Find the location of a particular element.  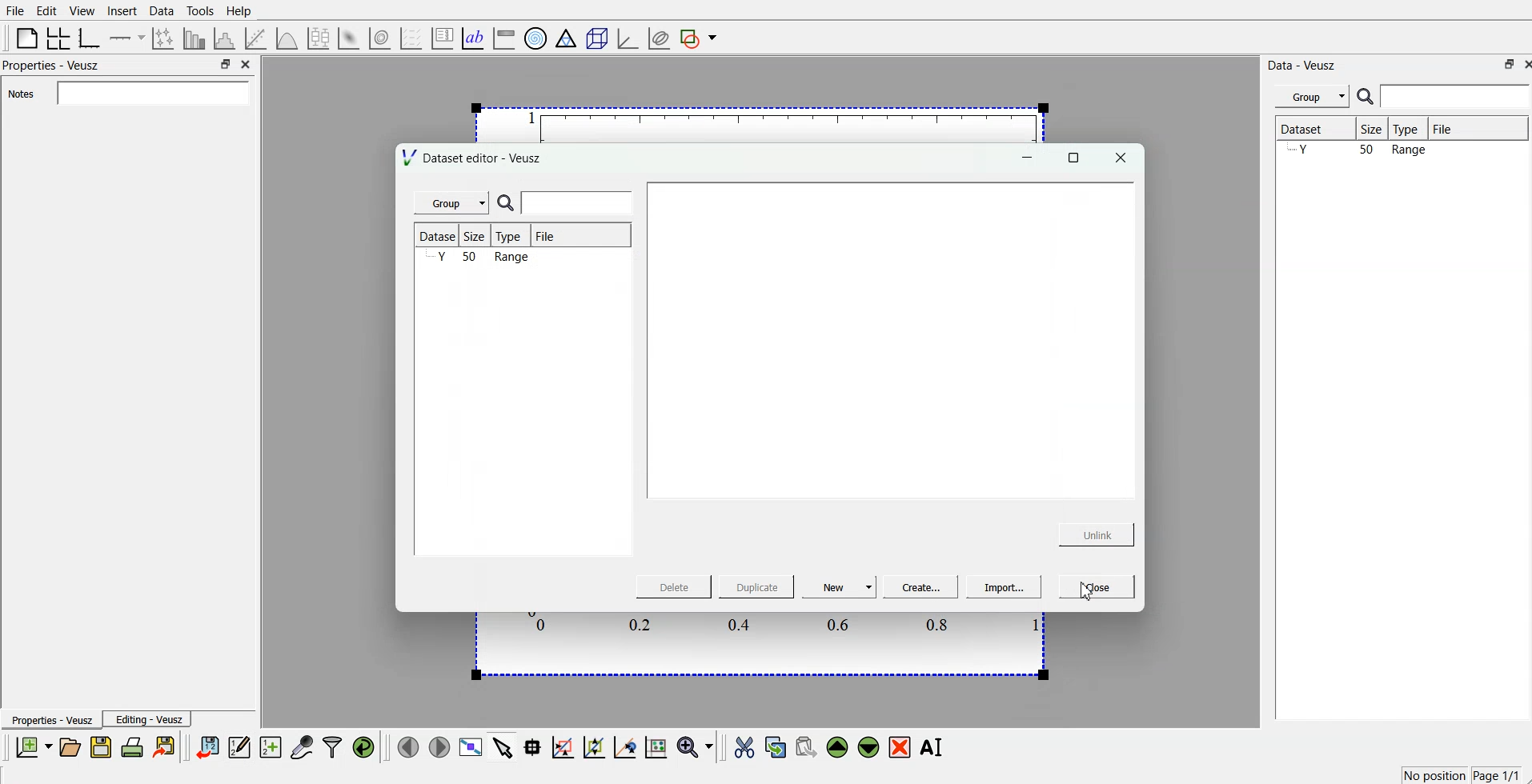

add a shape is located at coordinates (700, 38).